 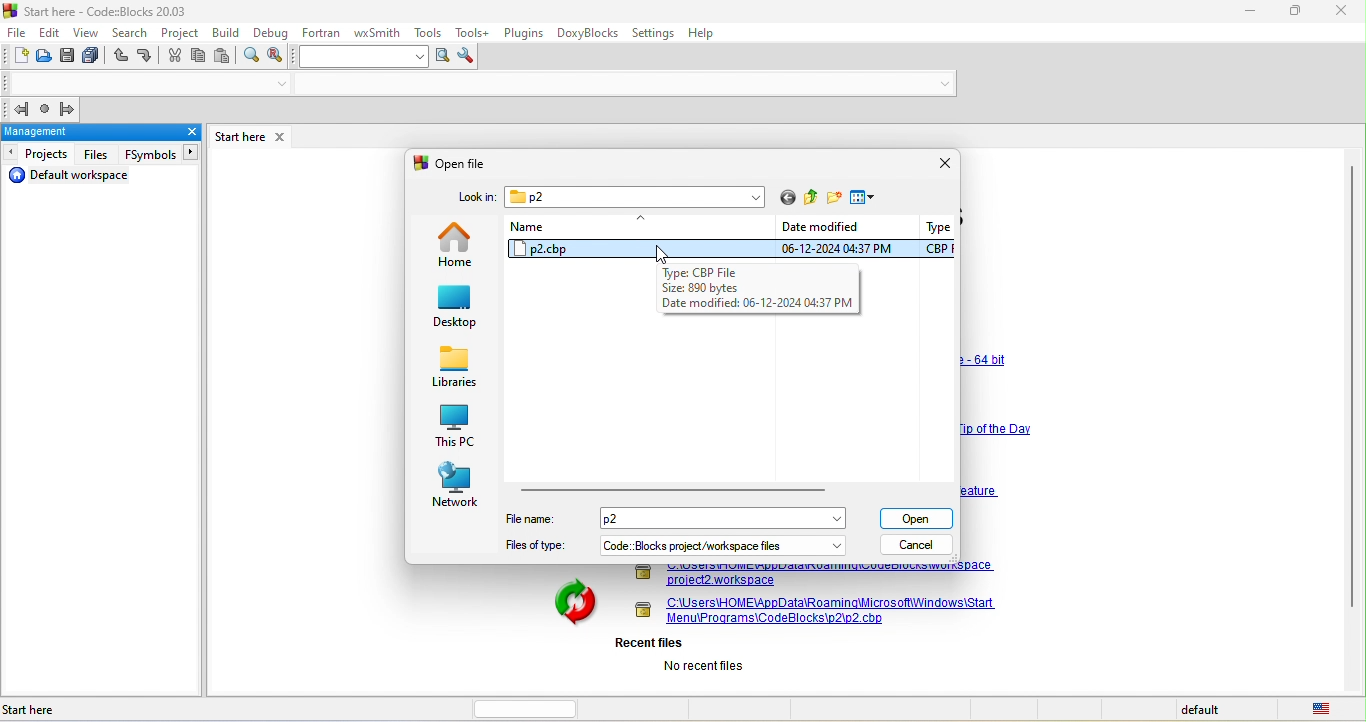 What do you see at coordinates (673, 491) in the screenshot?
I see `horizontal scroll bar` at bounding box center [673, 491].